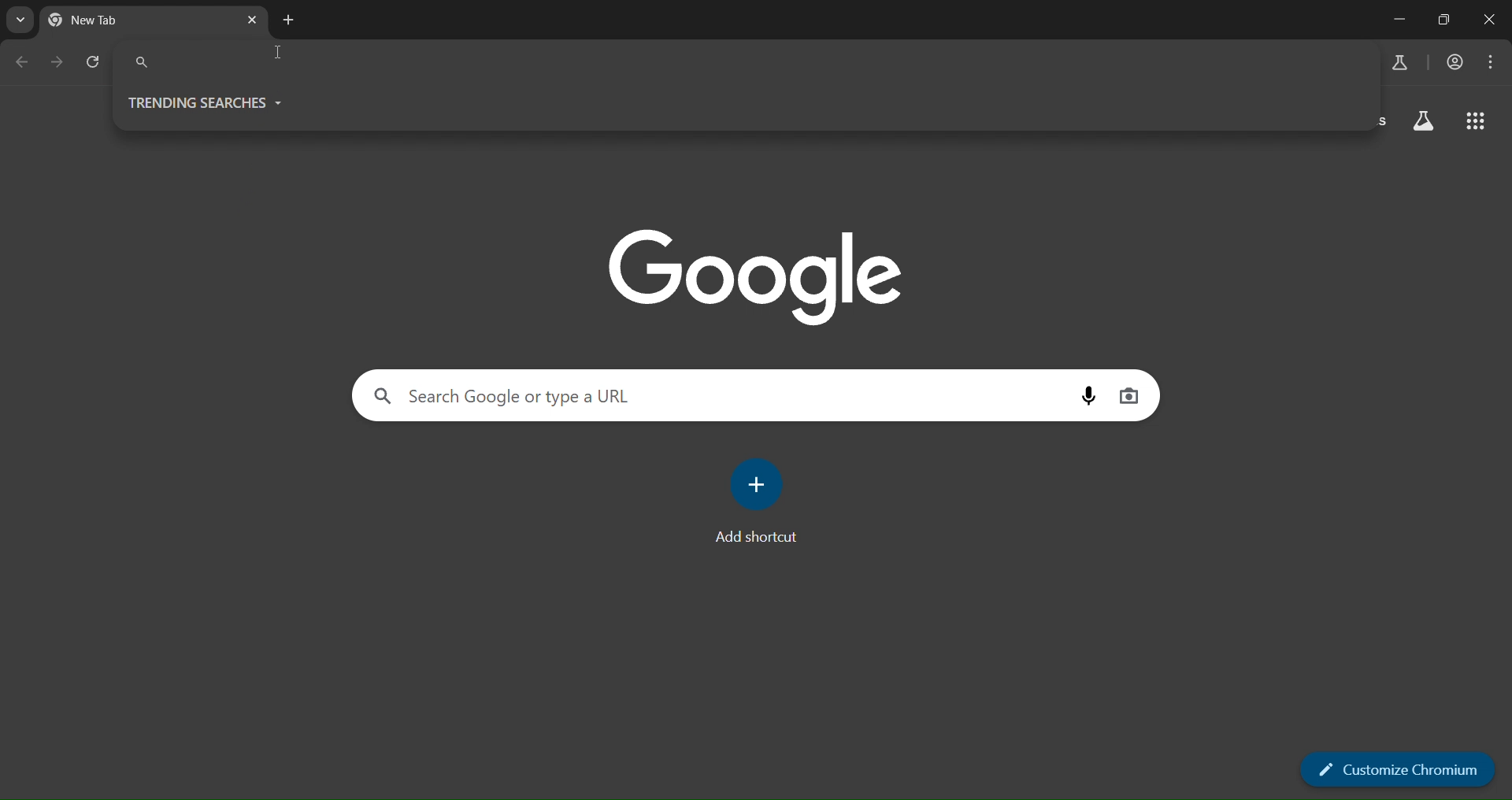  What do you see at coordinates (254, 22) in the screenshot?
I see `close tab` at bounding box center [254, 22].